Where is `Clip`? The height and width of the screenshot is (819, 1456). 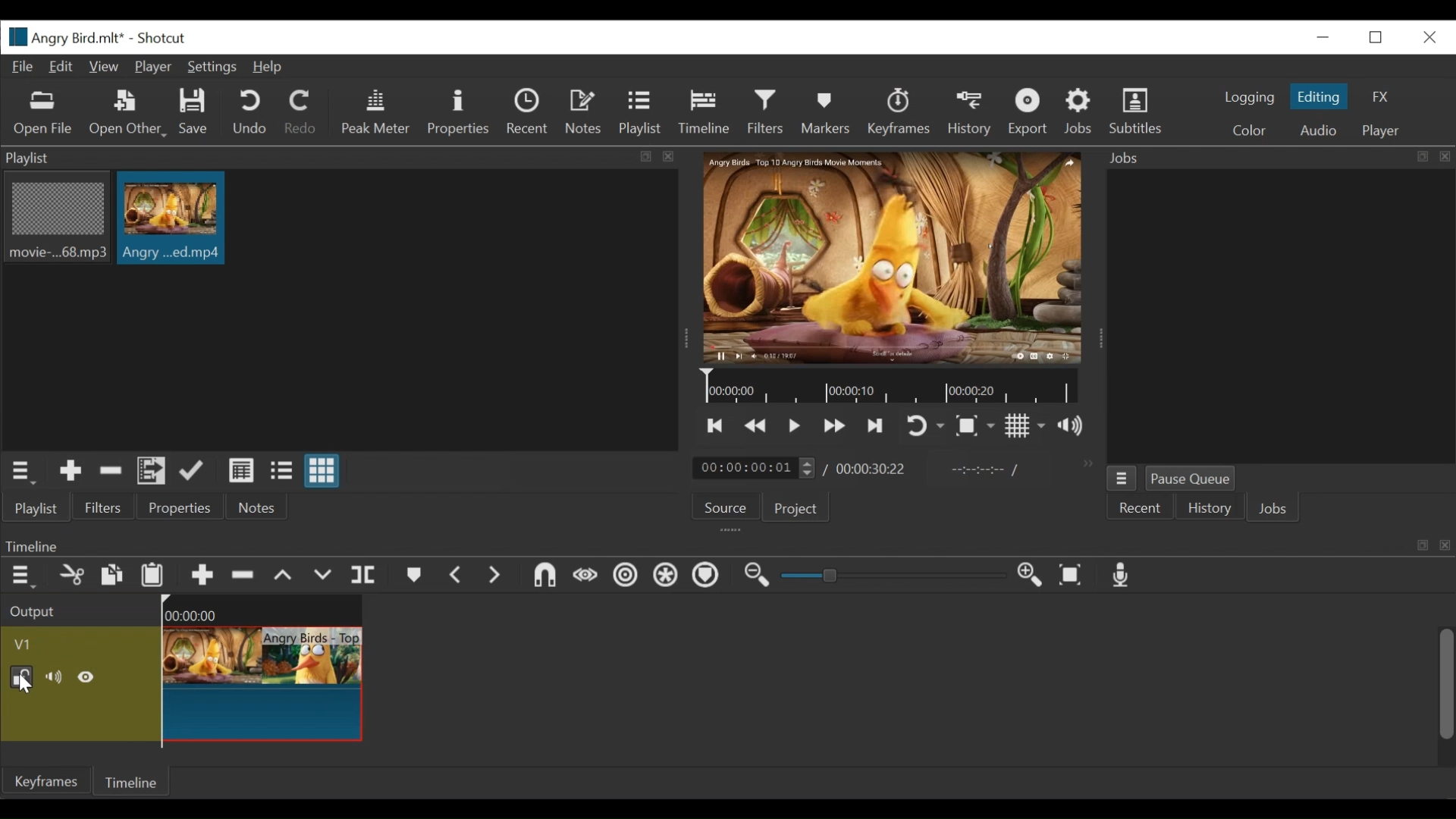
Clip is located at coordinates (55, 219).